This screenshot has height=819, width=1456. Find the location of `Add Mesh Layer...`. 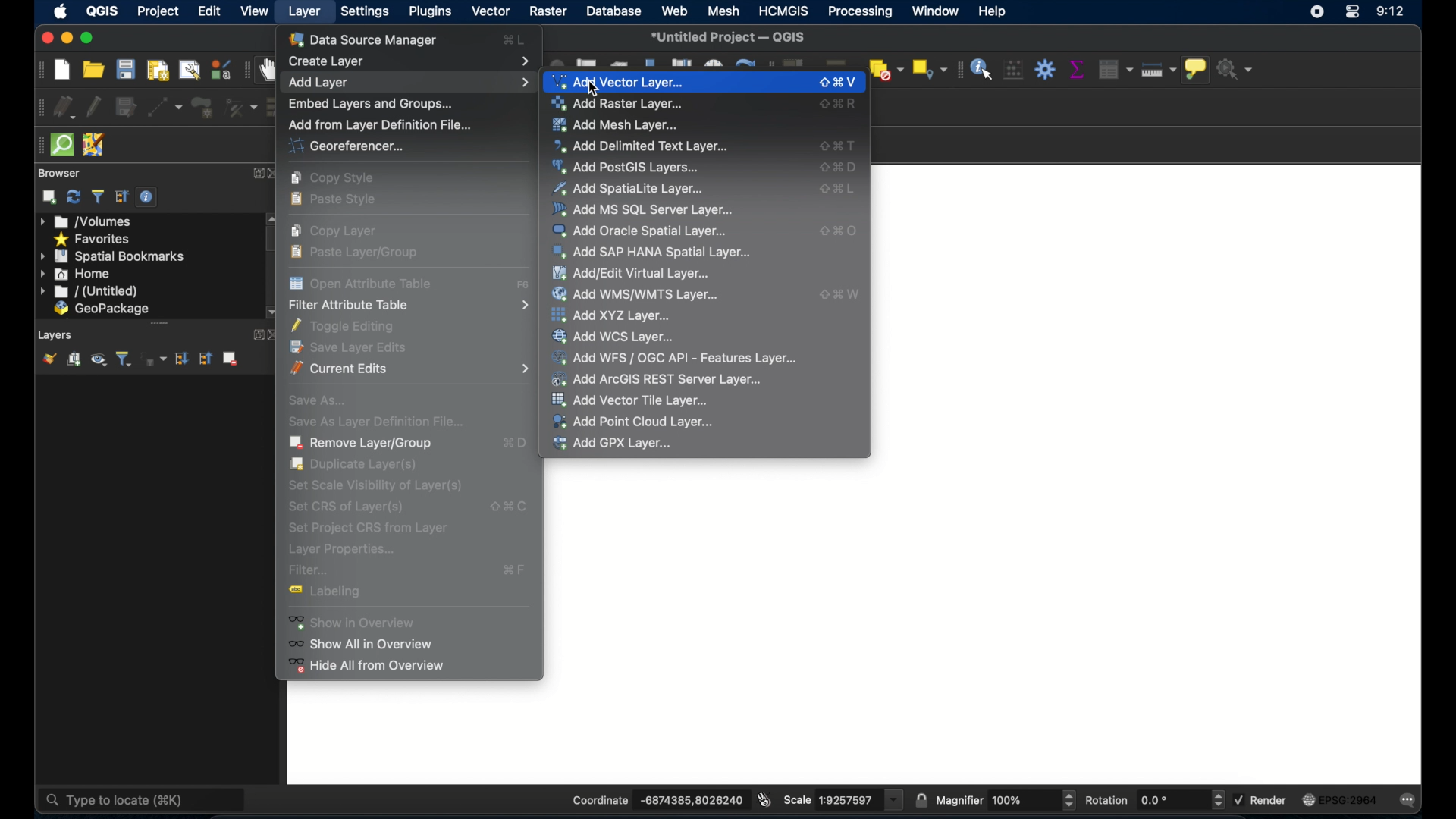

Add Mesh Layer... is located at coordinates (704, 127).